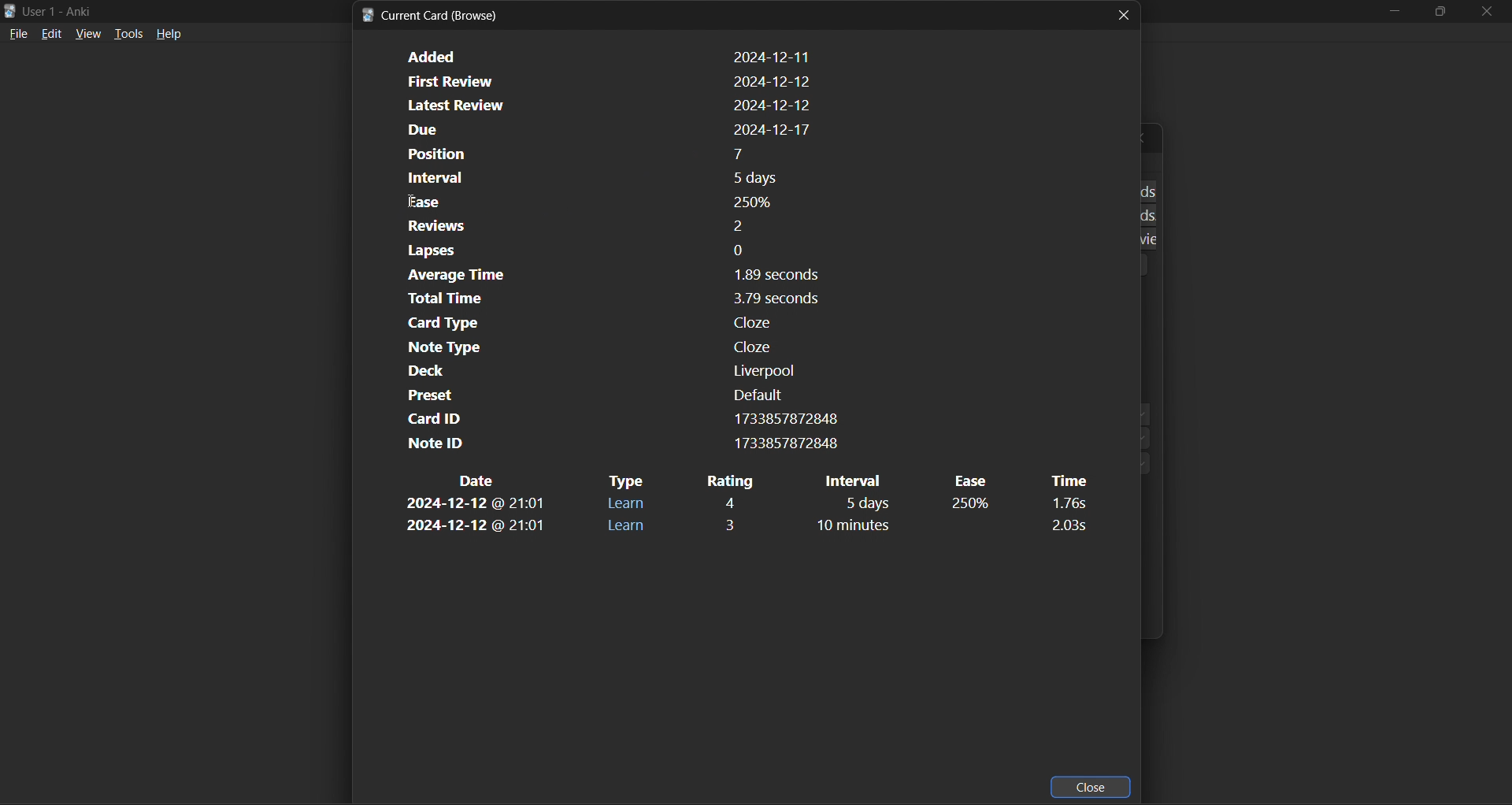  What do you see at coordinates (626, 481) in the screenshot?
I see `type` at bounding box center [626, 481].